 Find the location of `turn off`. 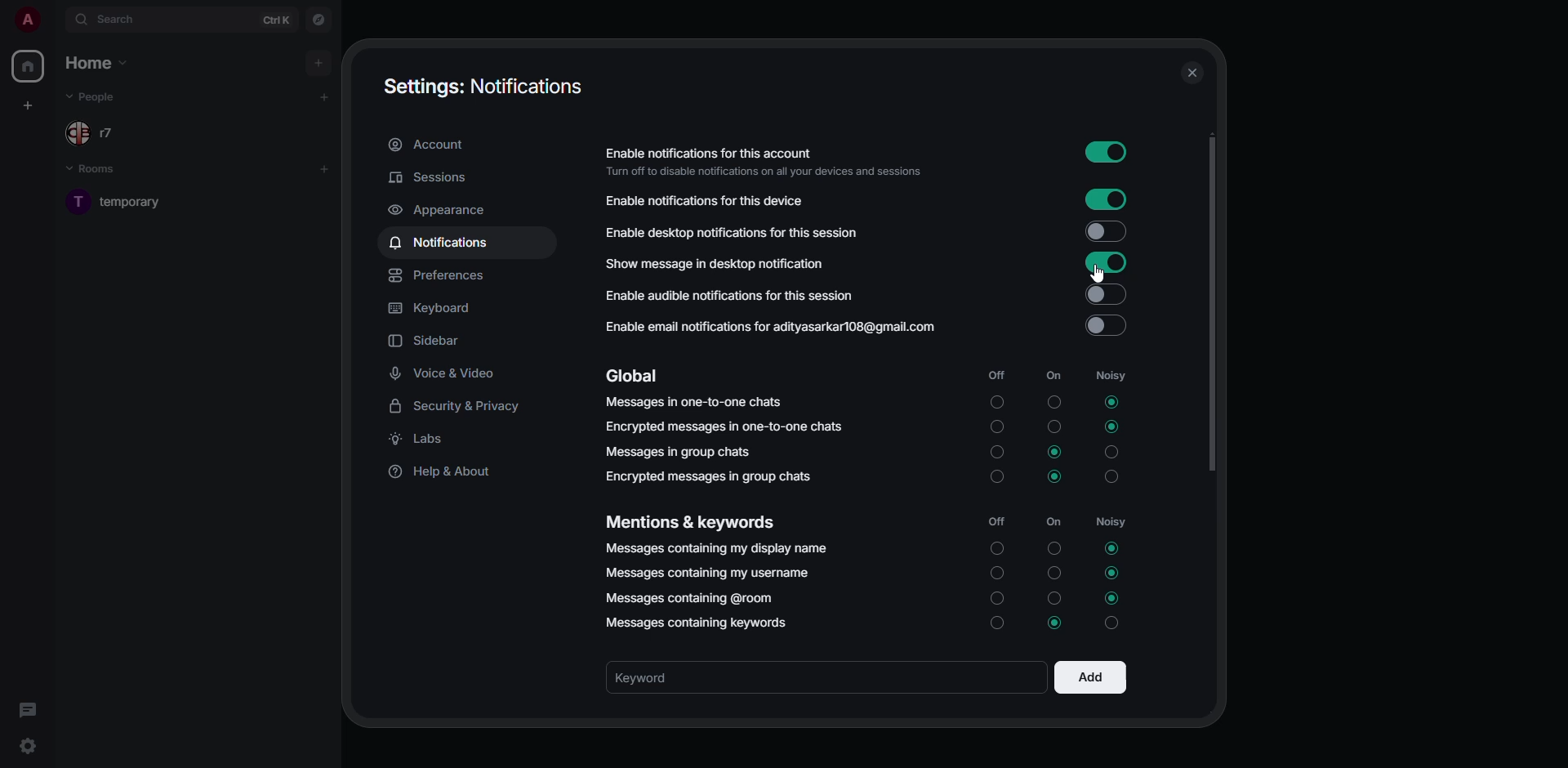

turn off is located at coordinates (1053, 428).